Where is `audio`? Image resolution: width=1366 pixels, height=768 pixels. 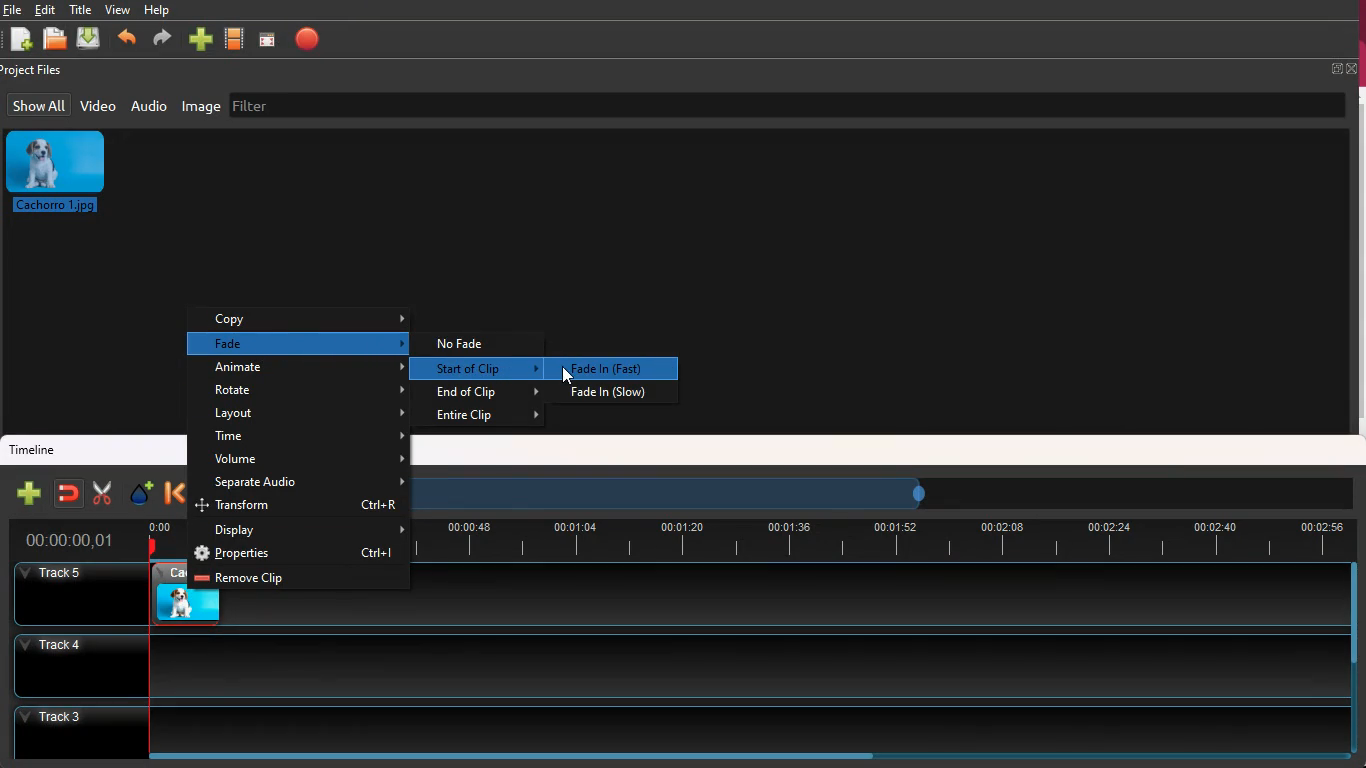
audio is located at coordinates (151, 108).